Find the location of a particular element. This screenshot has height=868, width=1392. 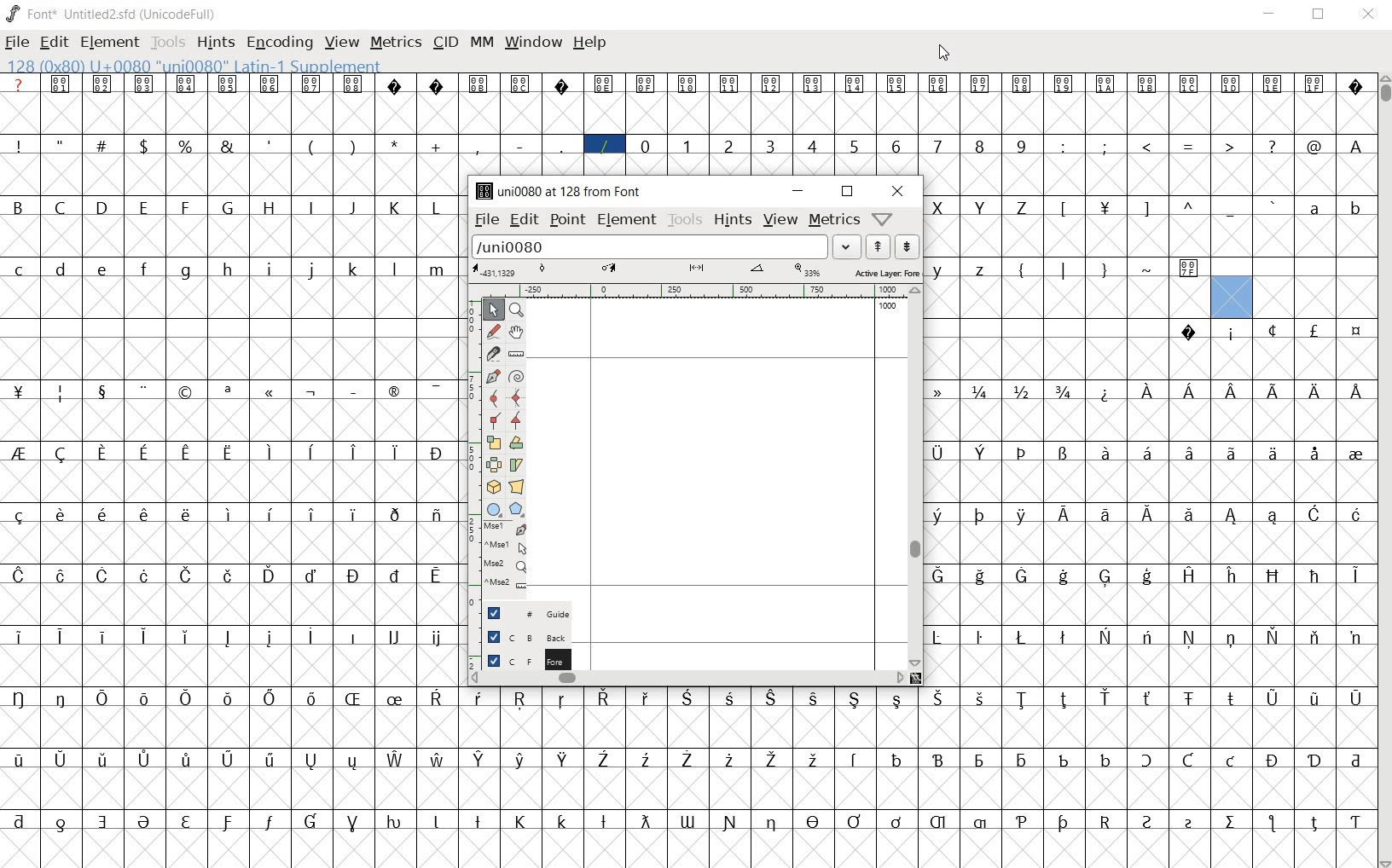

glyph is located at coordinates (937, 637).